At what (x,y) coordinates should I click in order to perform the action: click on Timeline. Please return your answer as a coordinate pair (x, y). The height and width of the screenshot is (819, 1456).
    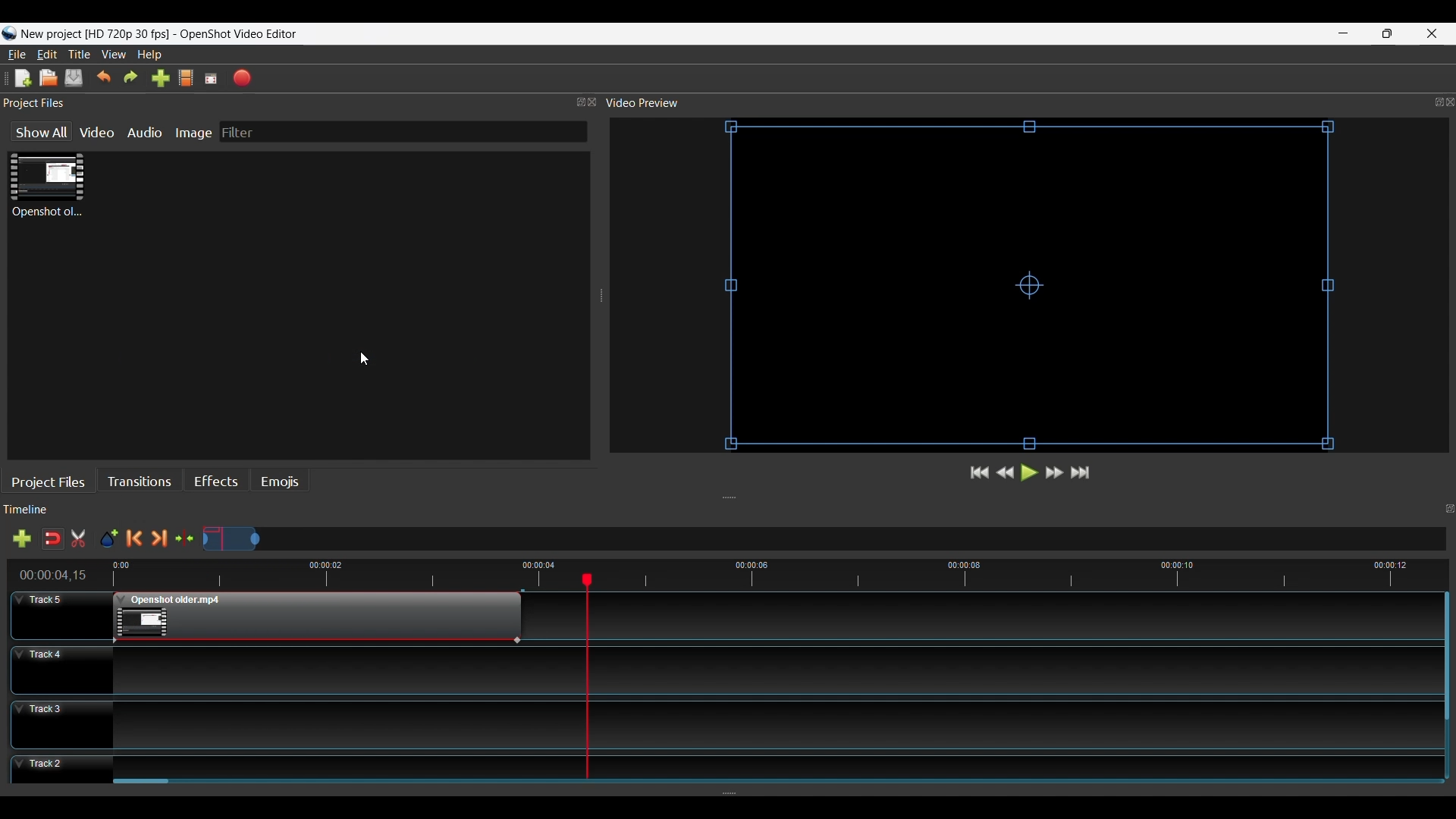
    Looking at the image, I should click on (734, 573).